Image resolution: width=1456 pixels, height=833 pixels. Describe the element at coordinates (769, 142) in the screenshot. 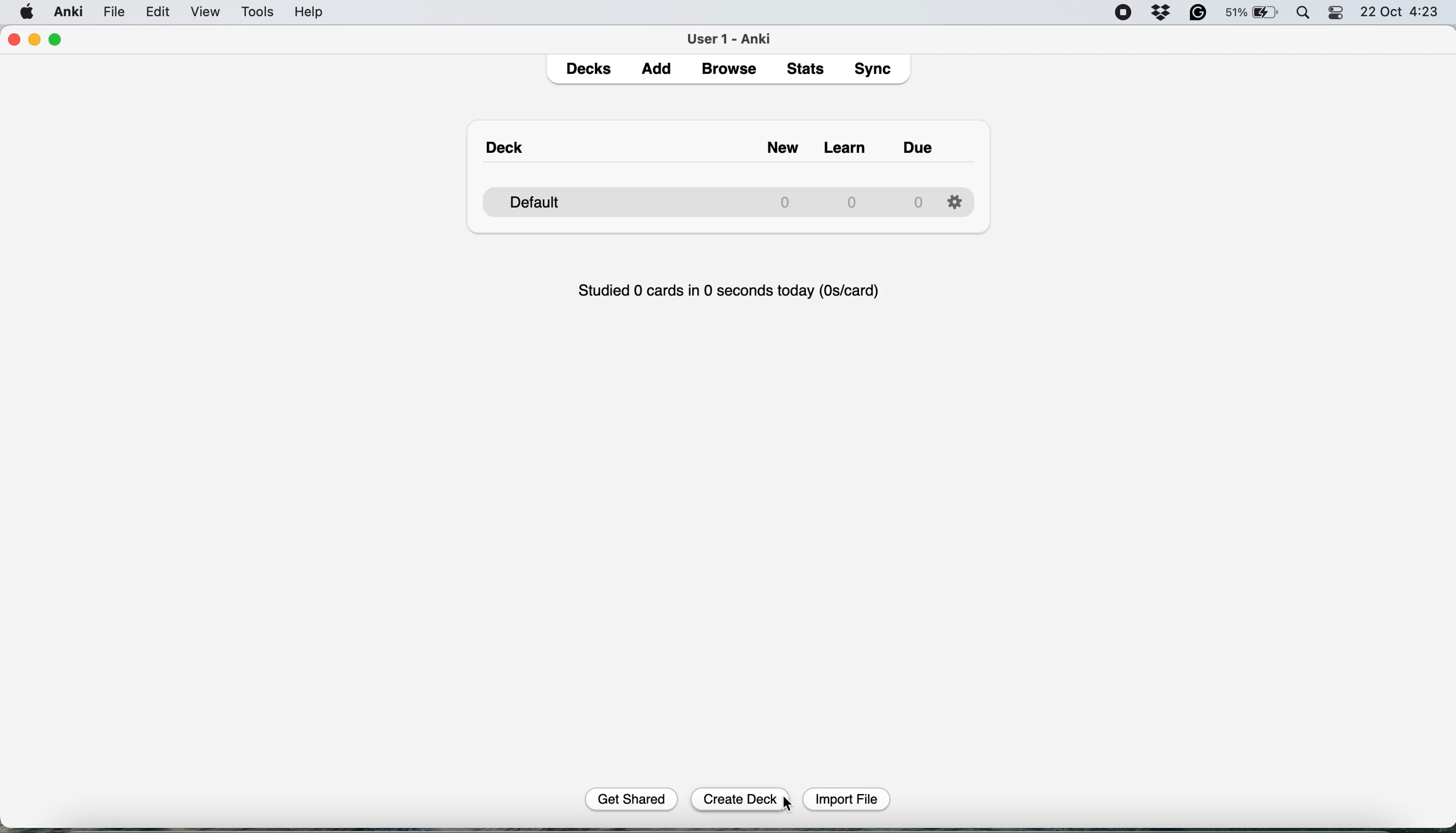

I see `New` at that location.